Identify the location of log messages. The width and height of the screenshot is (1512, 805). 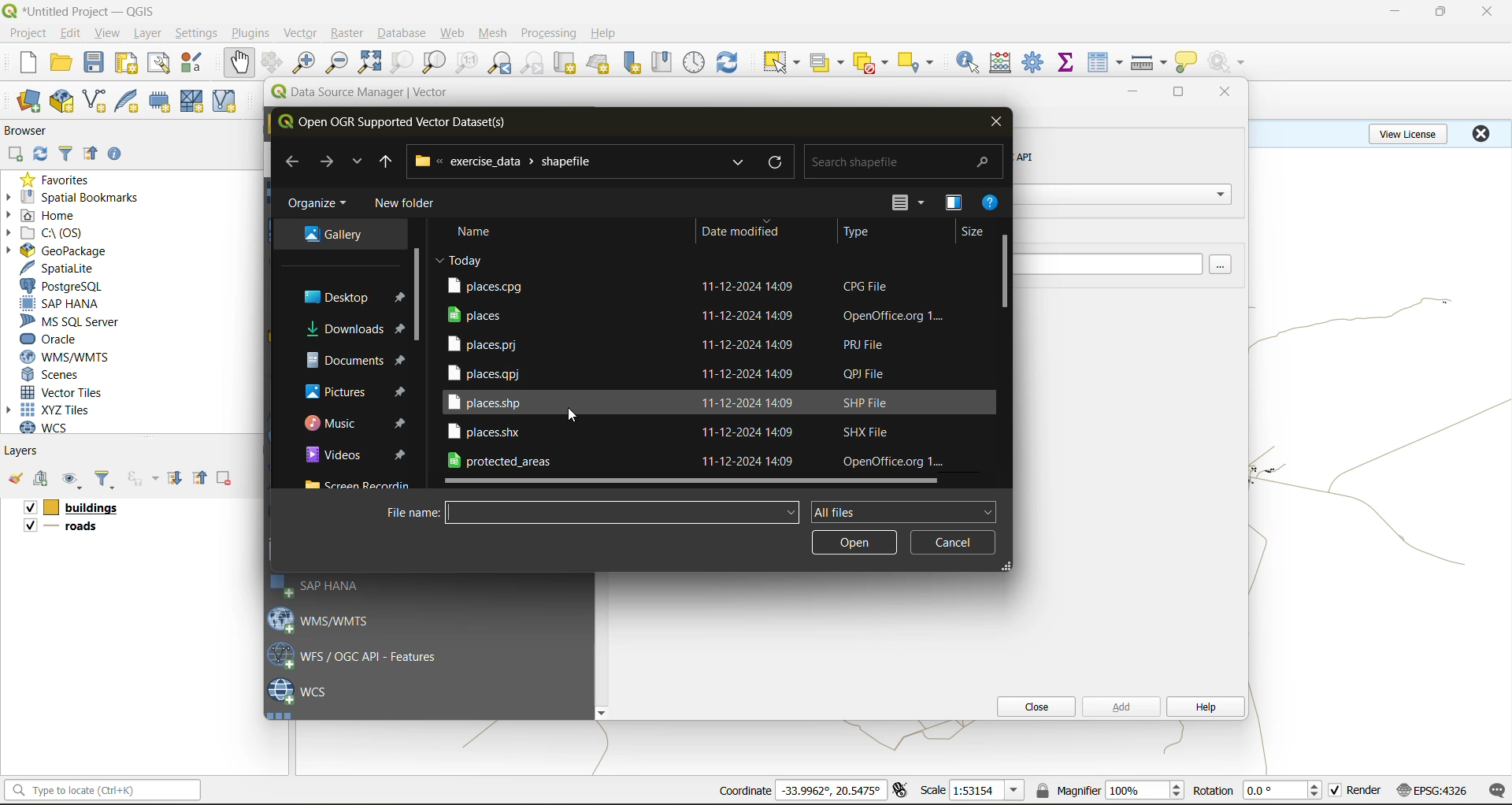
(1498, 791).